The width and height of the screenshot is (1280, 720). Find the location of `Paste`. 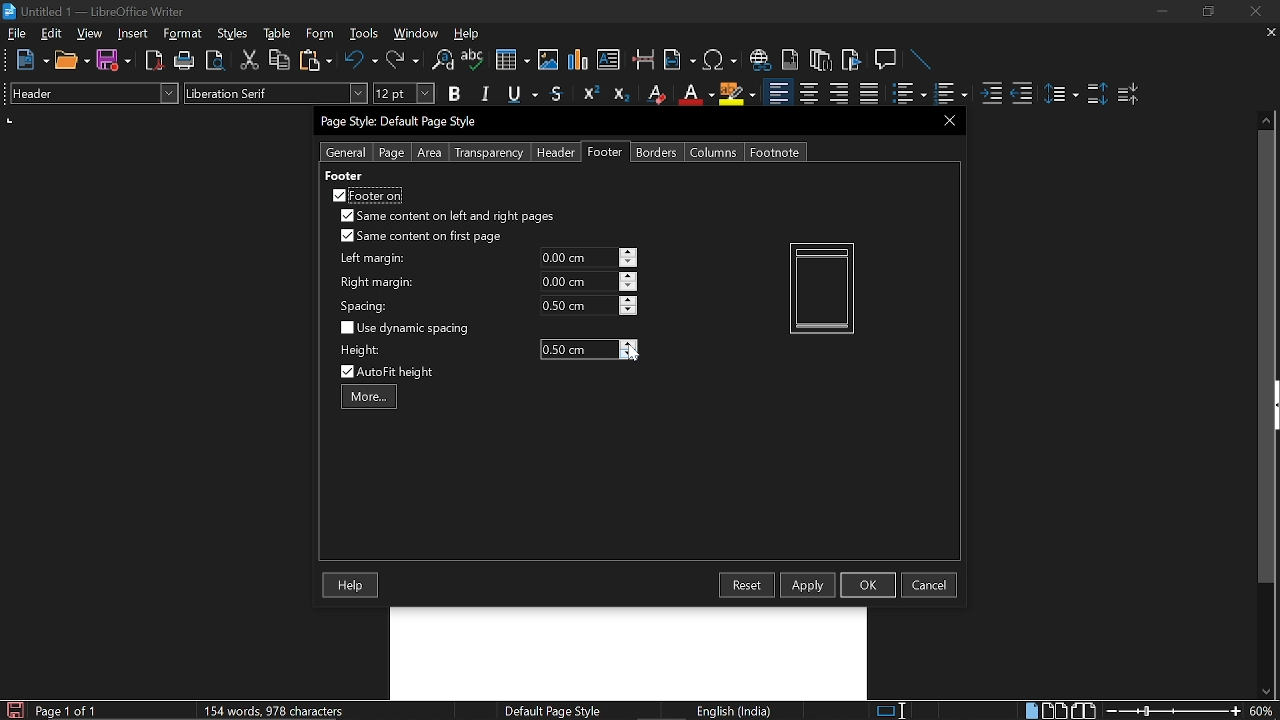

Paste is located at coordinates (314, 59).